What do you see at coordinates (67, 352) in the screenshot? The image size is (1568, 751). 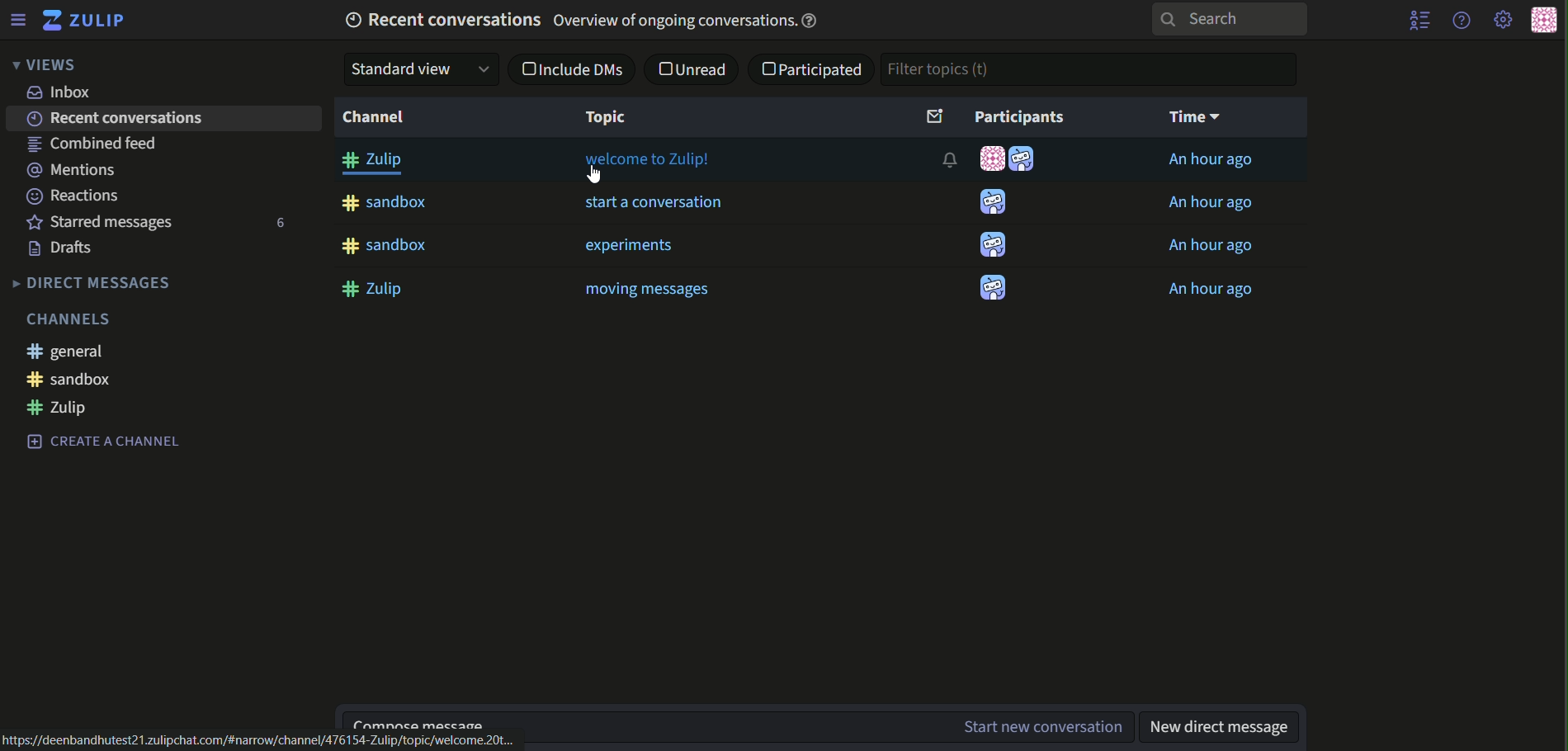 I see `text` at bounding box center [67, 352].